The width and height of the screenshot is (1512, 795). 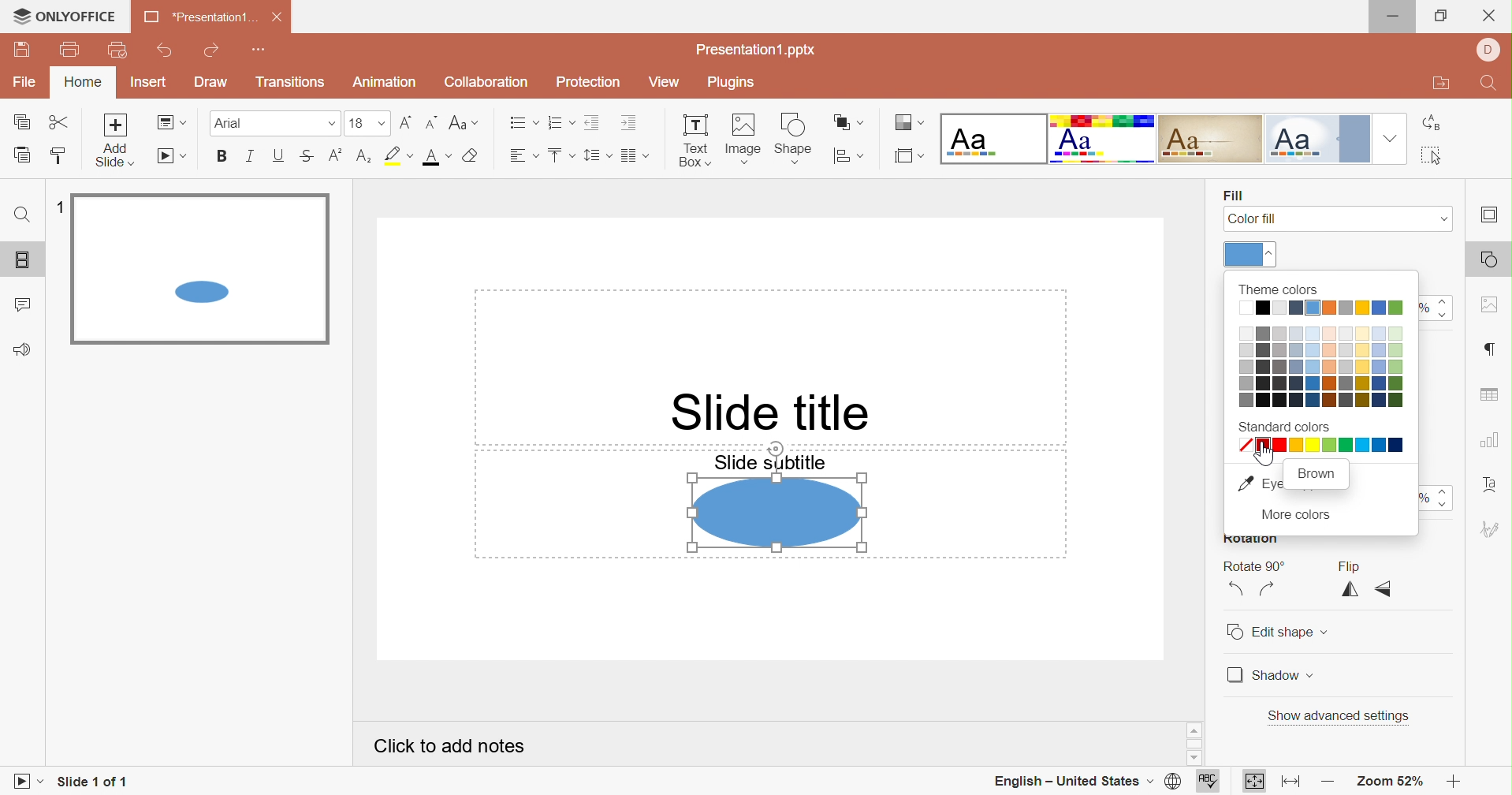 I want to click on Font color, so click(x=436, y=157).